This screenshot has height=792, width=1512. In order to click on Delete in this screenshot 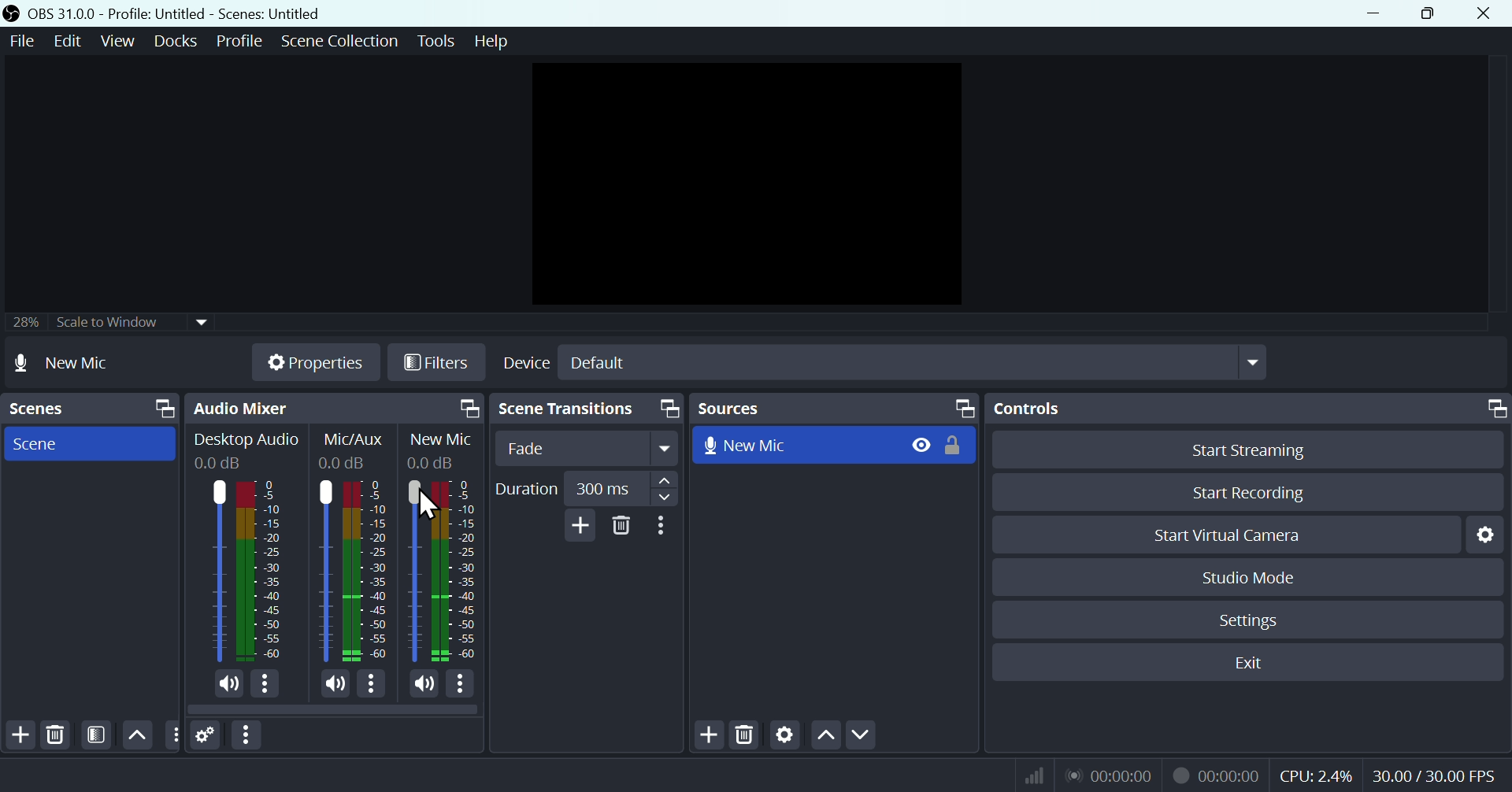, I will do `click(622, 526)`.